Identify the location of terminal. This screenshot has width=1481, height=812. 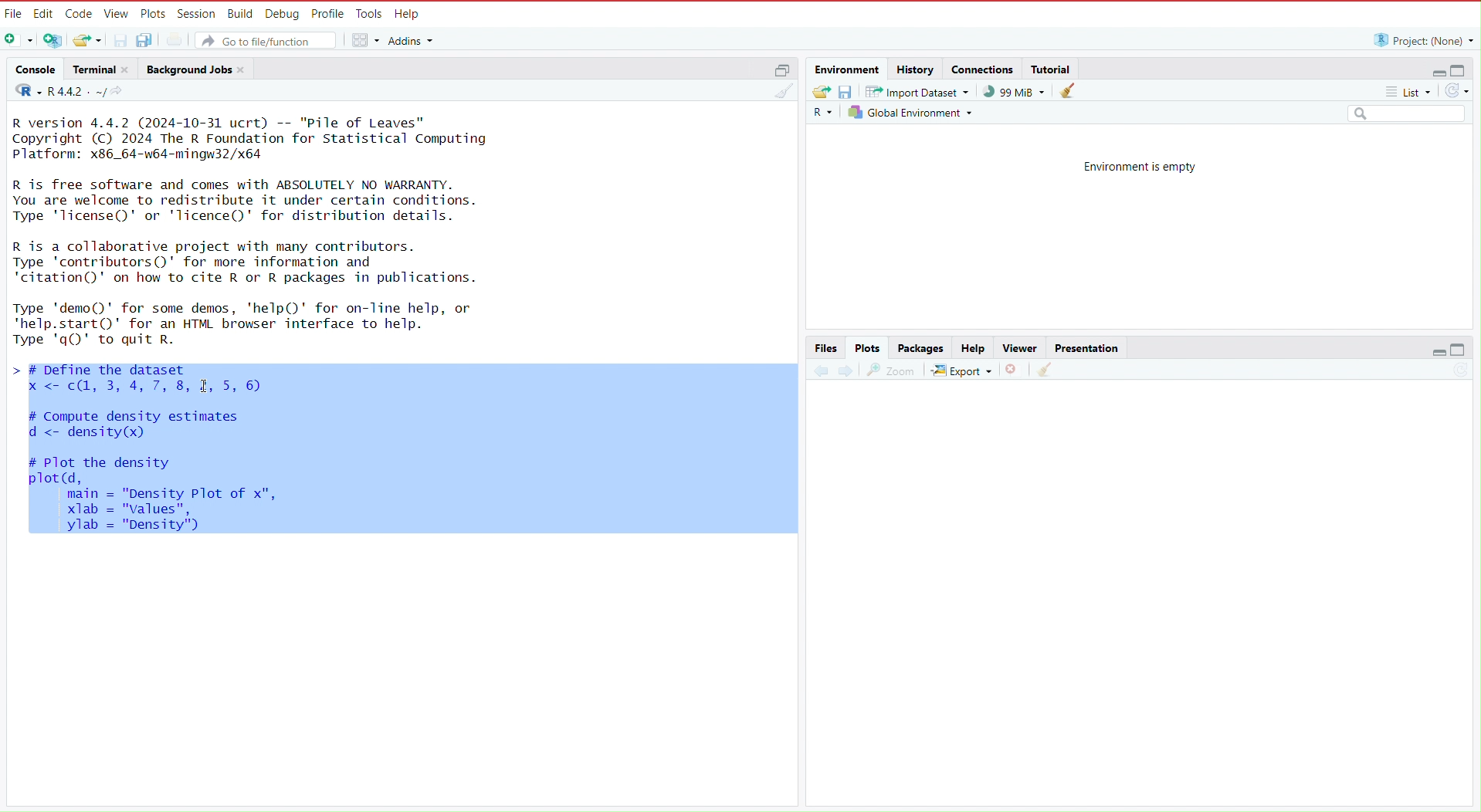
(91, 69).